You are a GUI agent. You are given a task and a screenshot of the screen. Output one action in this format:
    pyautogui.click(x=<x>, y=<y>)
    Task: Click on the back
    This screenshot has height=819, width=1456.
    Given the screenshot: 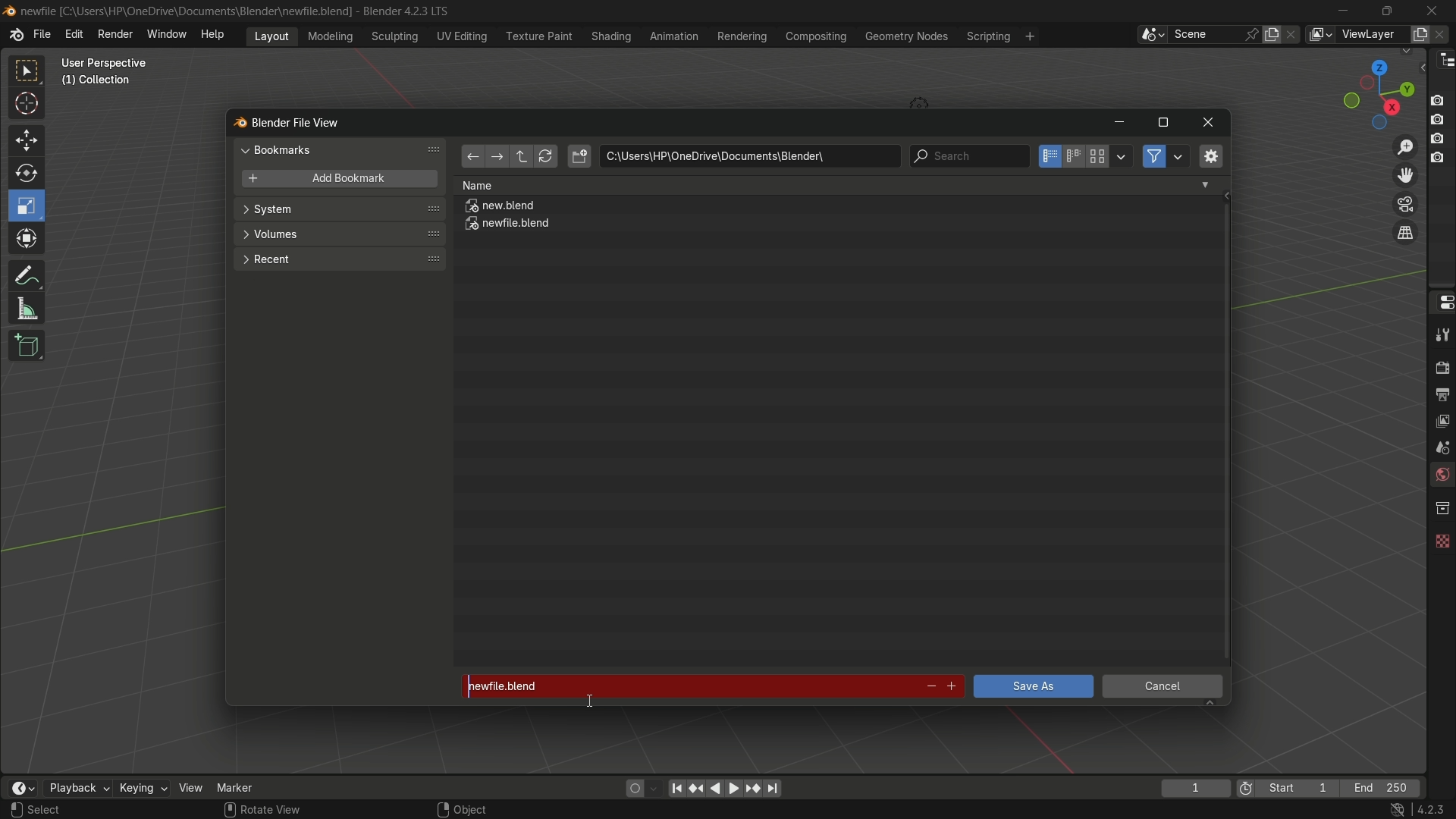 What is the action you would take?
    pyautogui.click(x=472, y=158)
    